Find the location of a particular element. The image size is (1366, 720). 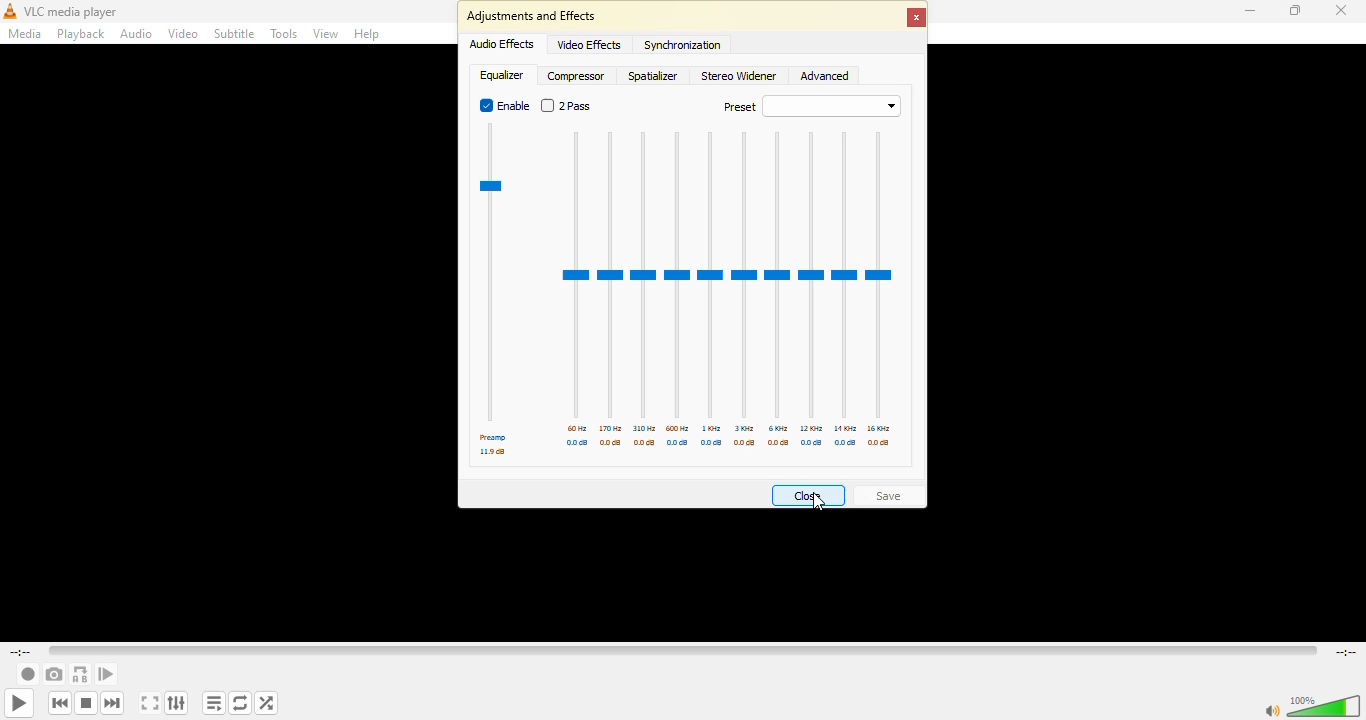

db is located at coordinates (645, 443).